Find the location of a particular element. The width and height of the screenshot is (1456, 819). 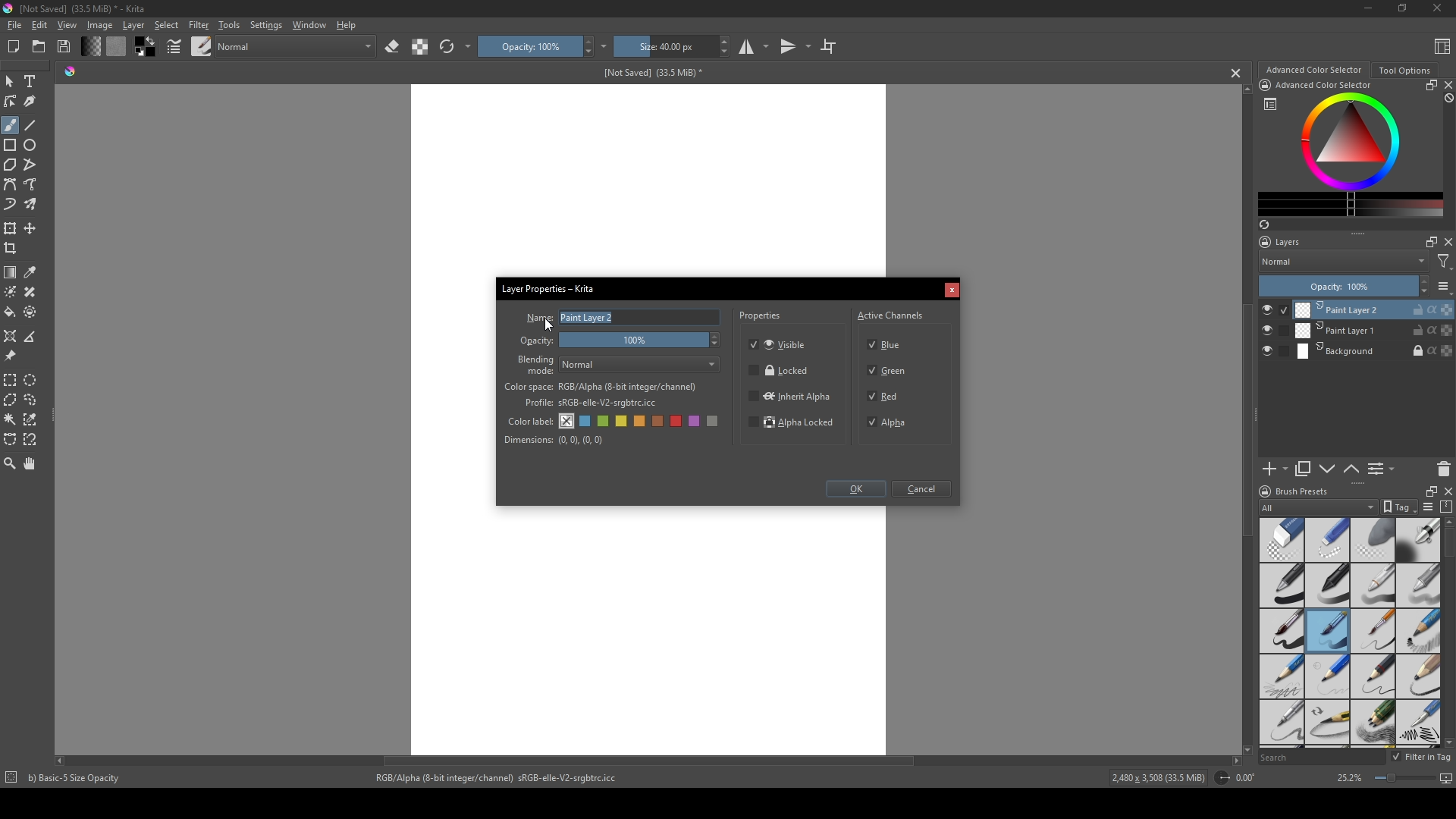

copy is located at coordinates (1304, 469).